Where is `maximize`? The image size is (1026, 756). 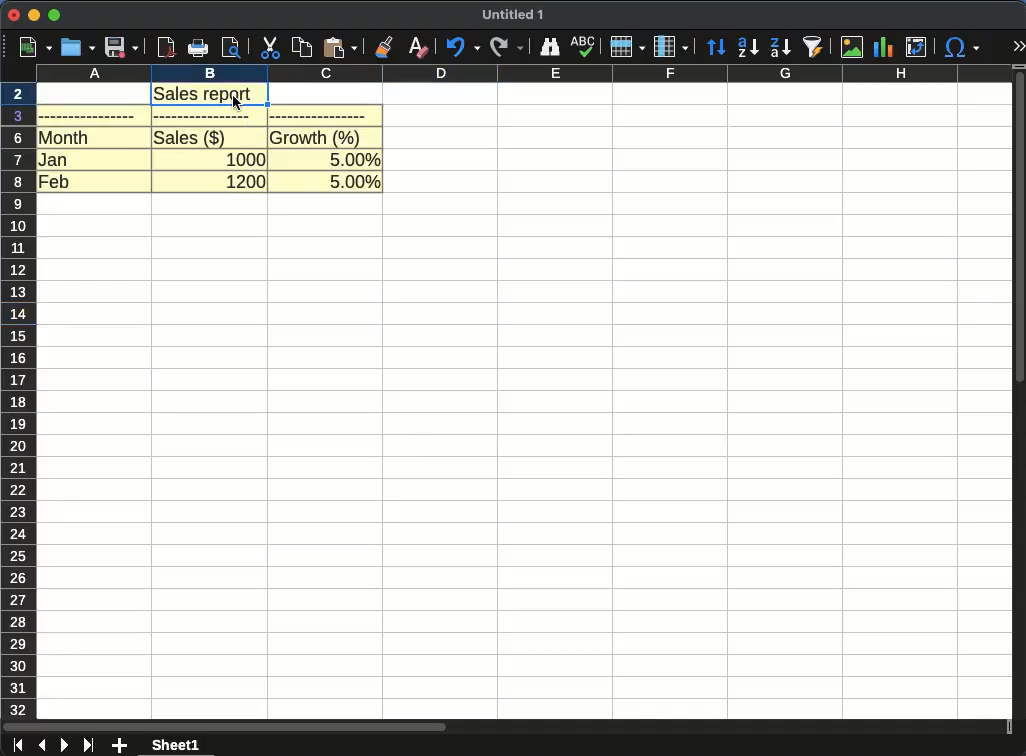 maximize is located at coordinates (56, 16).